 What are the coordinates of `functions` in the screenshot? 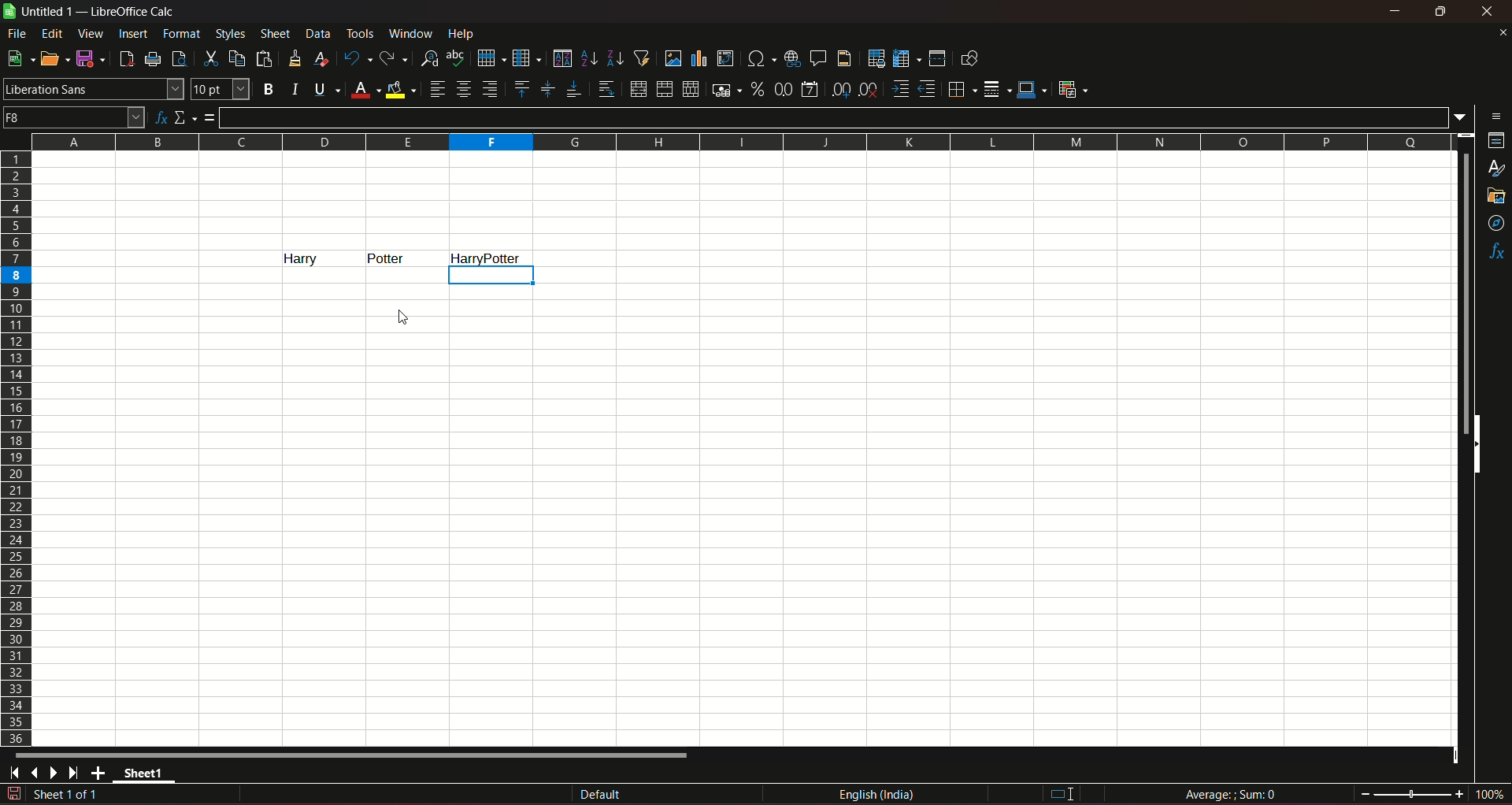 It's located at (1496, 253).